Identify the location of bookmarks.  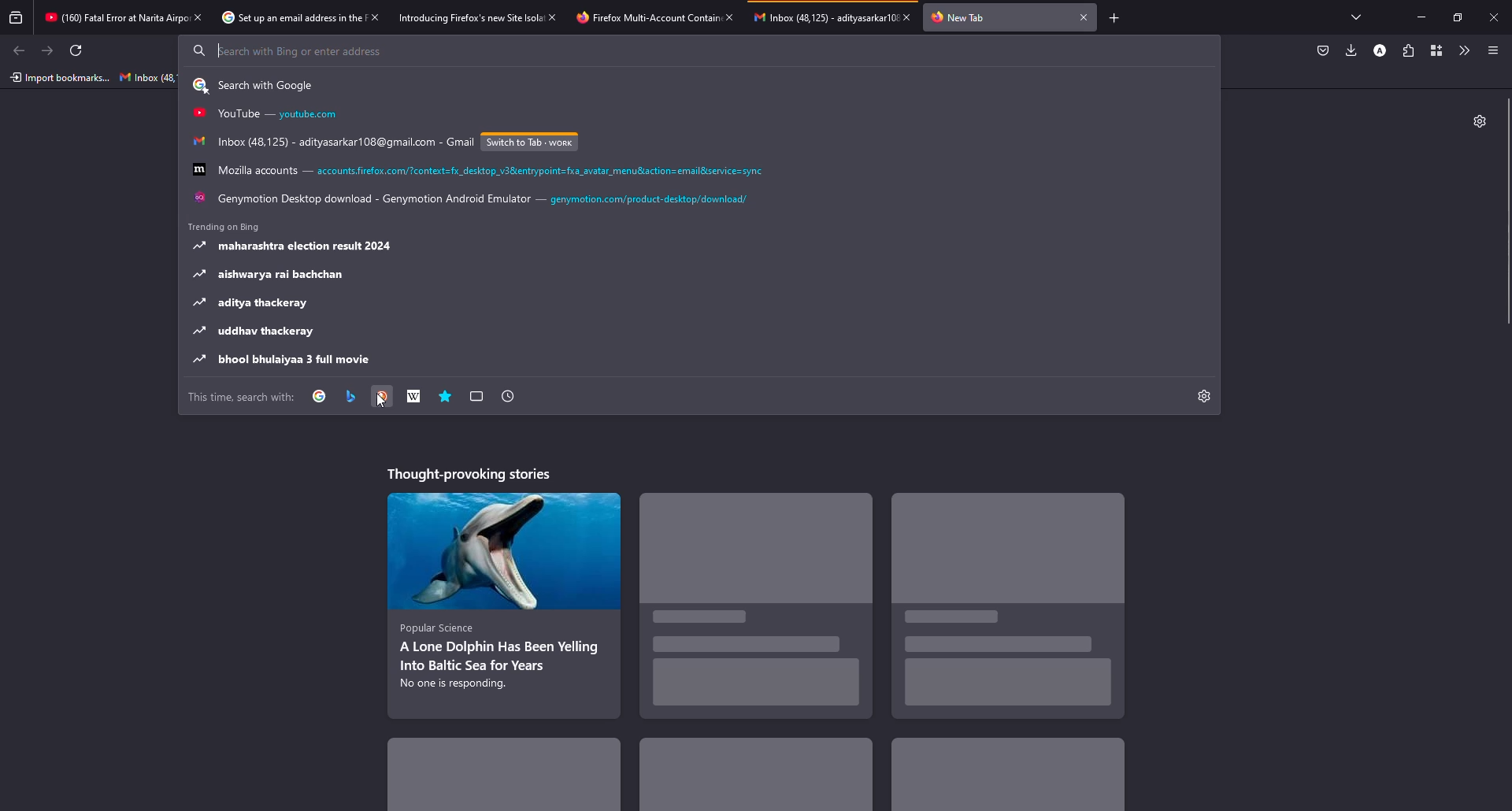
(445, 396).